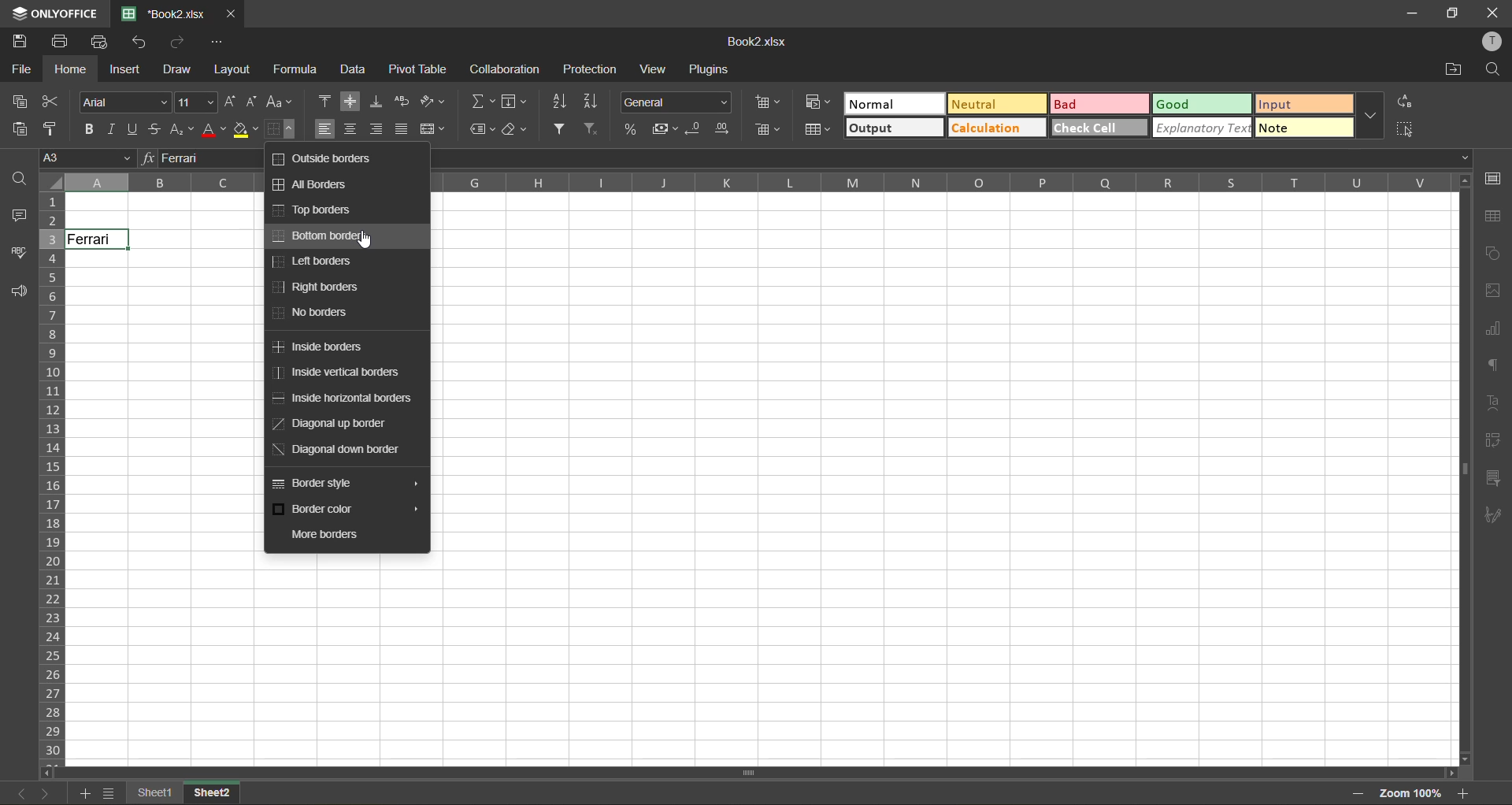 The height and width of the screenshot is (805, 1512). What do you see at coordinates (53, 128) in the screenshot?
I see `copy style` at bounding box center [53, 128].